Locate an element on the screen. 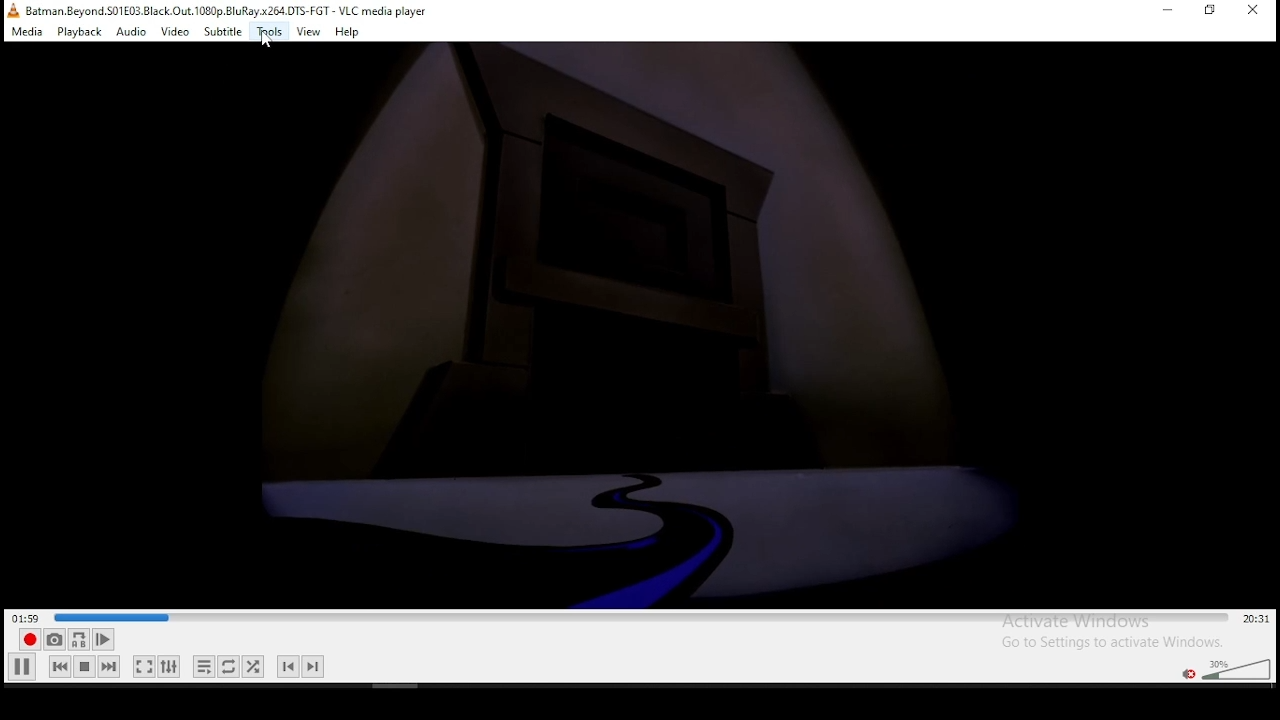 This screenshot has width=1280, height=720. playback is located at coordinates (78, 31).